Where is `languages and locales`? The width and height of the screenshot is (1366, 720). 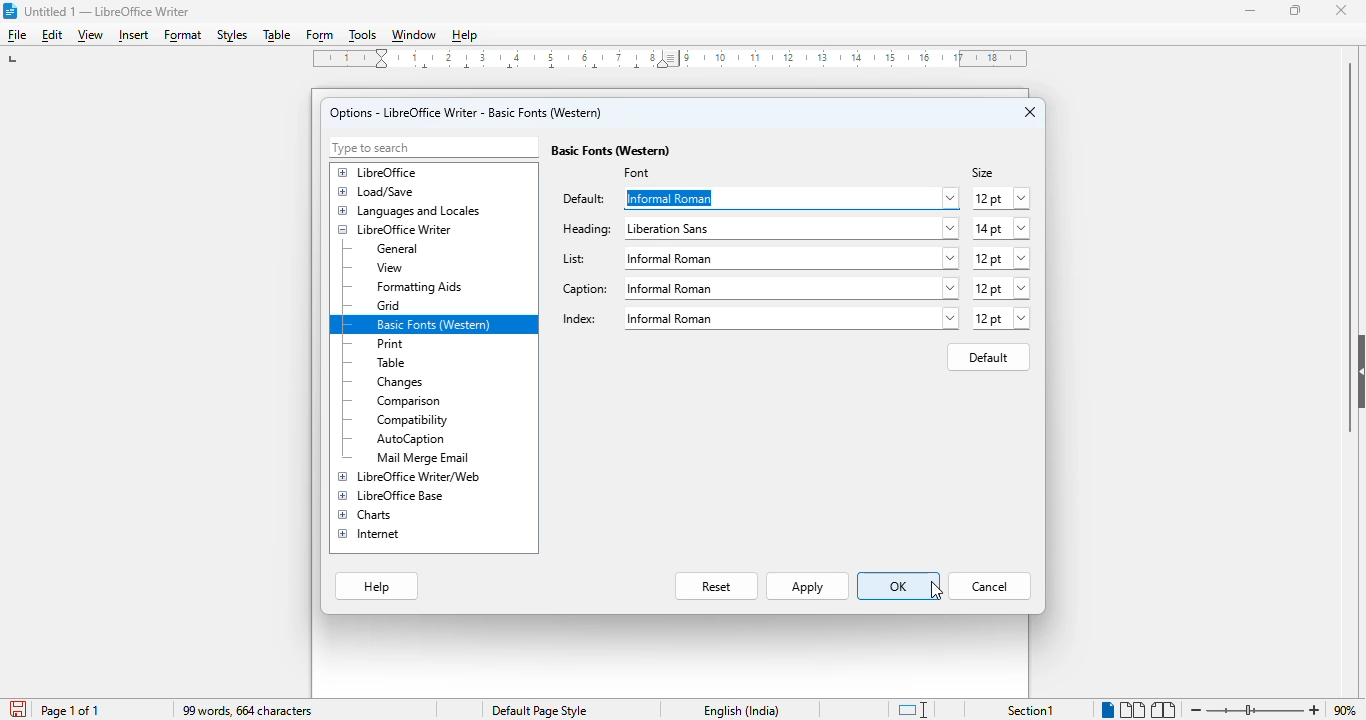 languages and locales is located at coordinates (410, 211).